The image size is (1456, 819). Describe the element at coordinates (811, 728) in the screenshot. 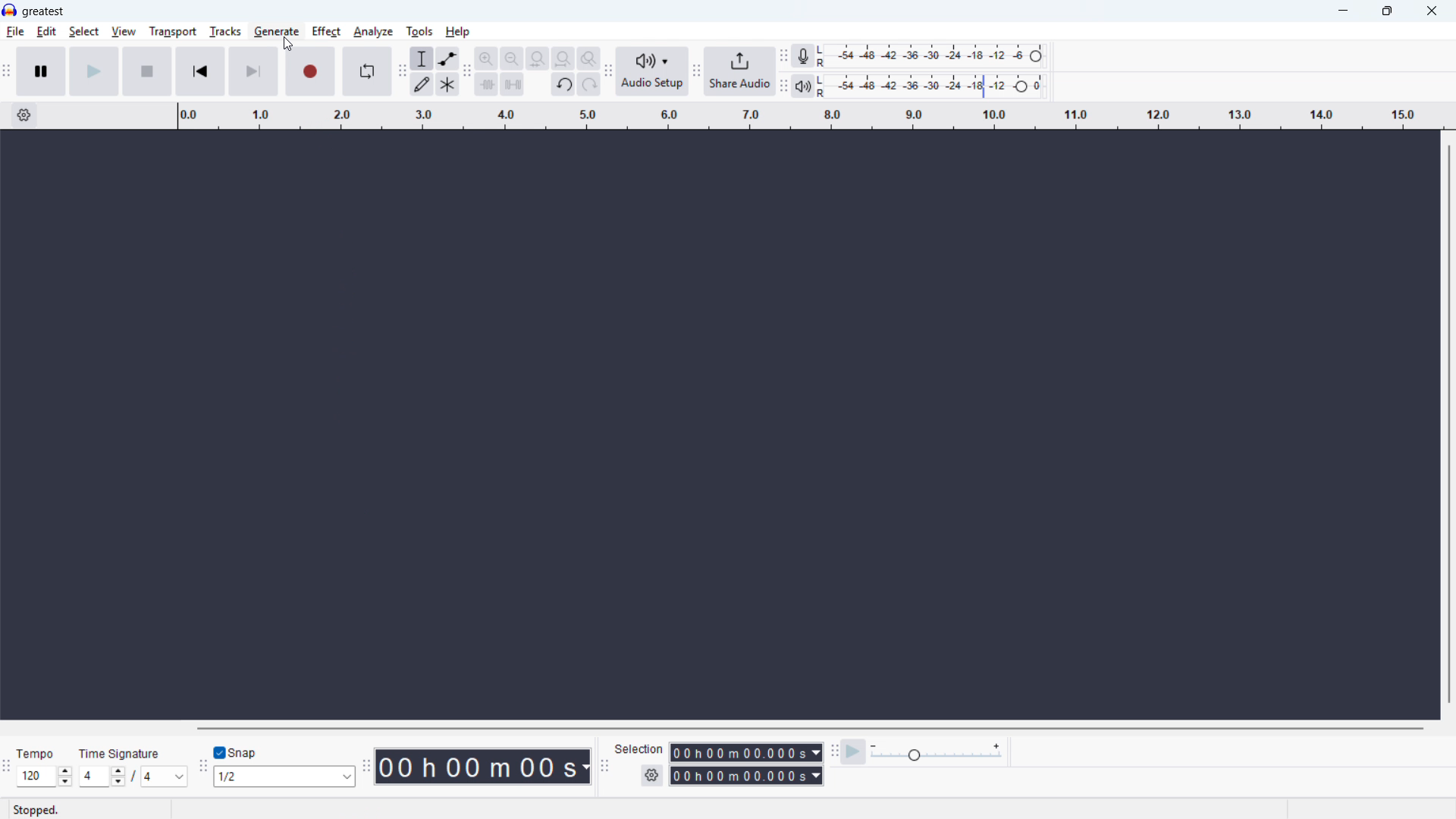

I see `Horizontal scroll bar ` at that location.